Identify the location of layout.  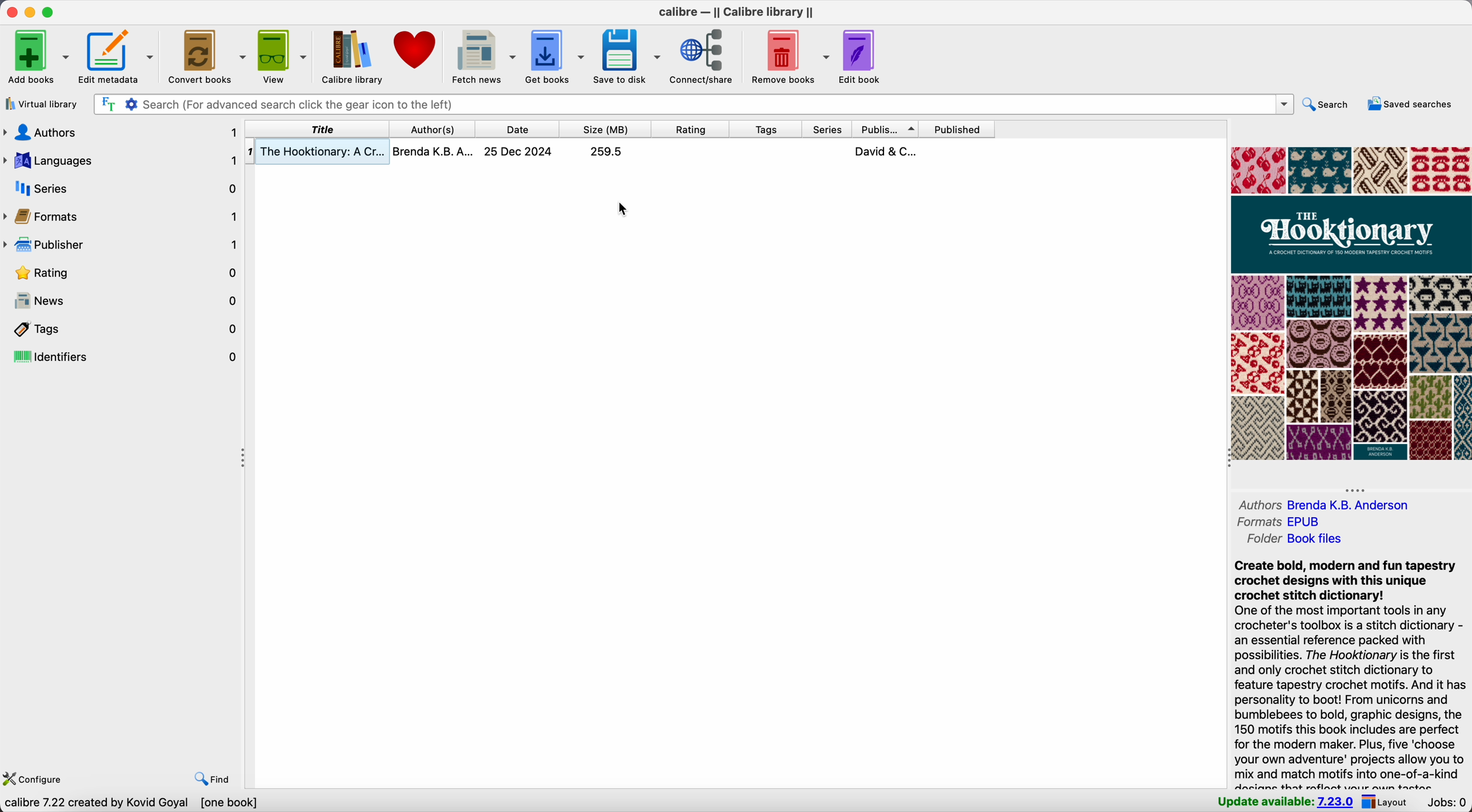
(1390, 802).